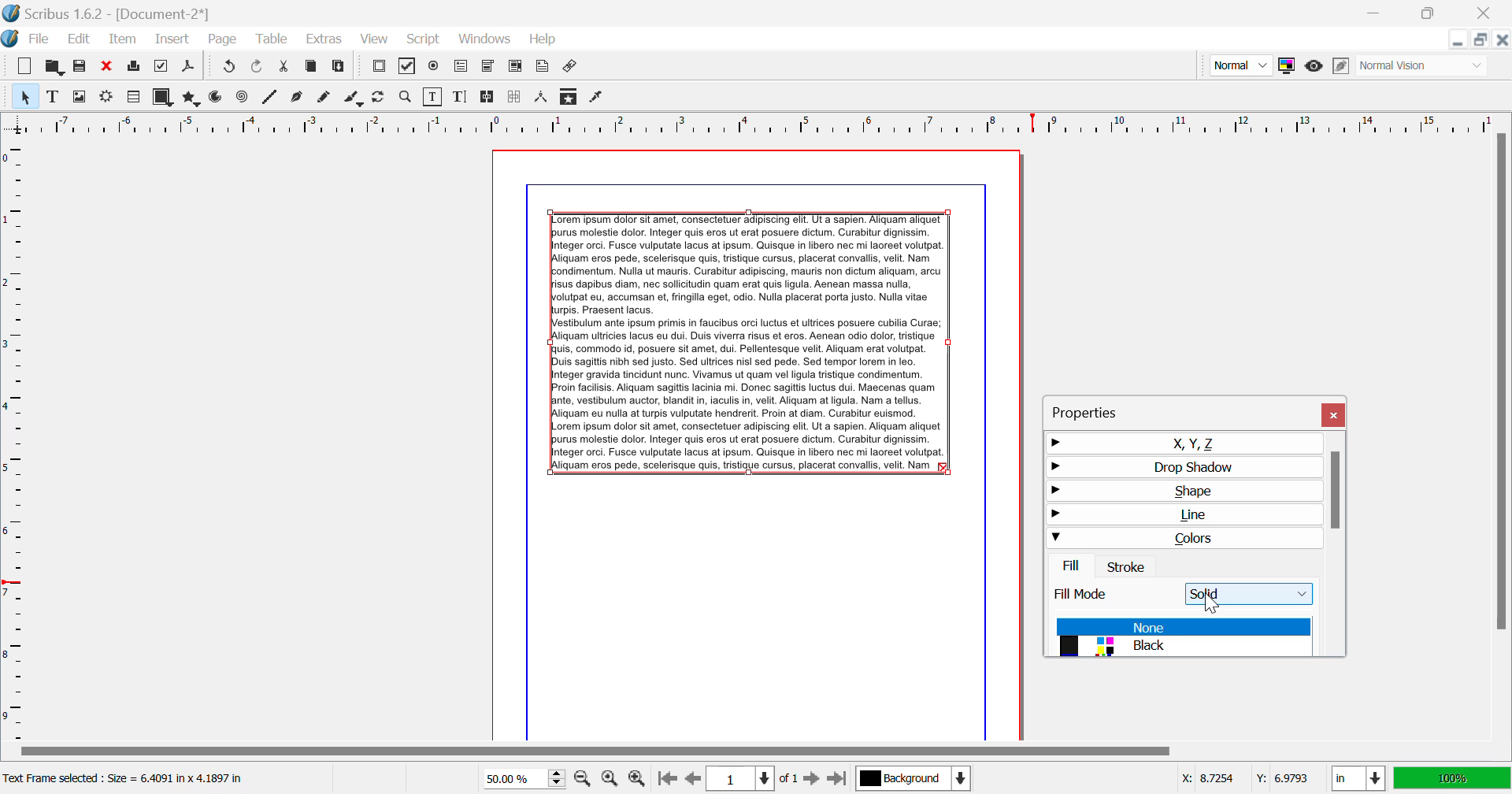 This screenshot has width=1512, height=794. What do you see at coordinates (584, 777) in the screenshot?
I see `Zoom Out` at bounding box center [584, 777].